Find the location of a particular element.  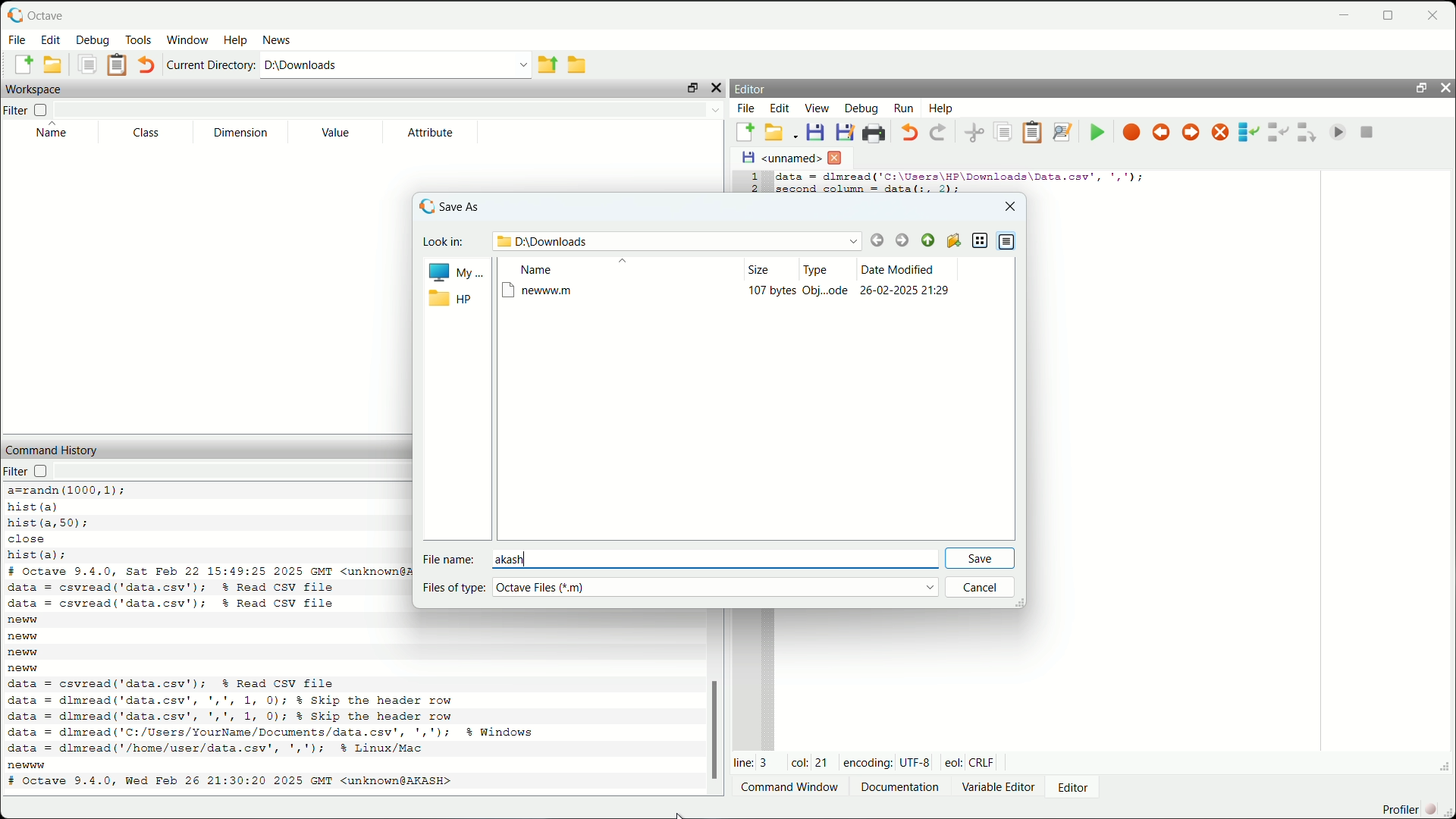

filter input field is located at coordinates (239, 472).